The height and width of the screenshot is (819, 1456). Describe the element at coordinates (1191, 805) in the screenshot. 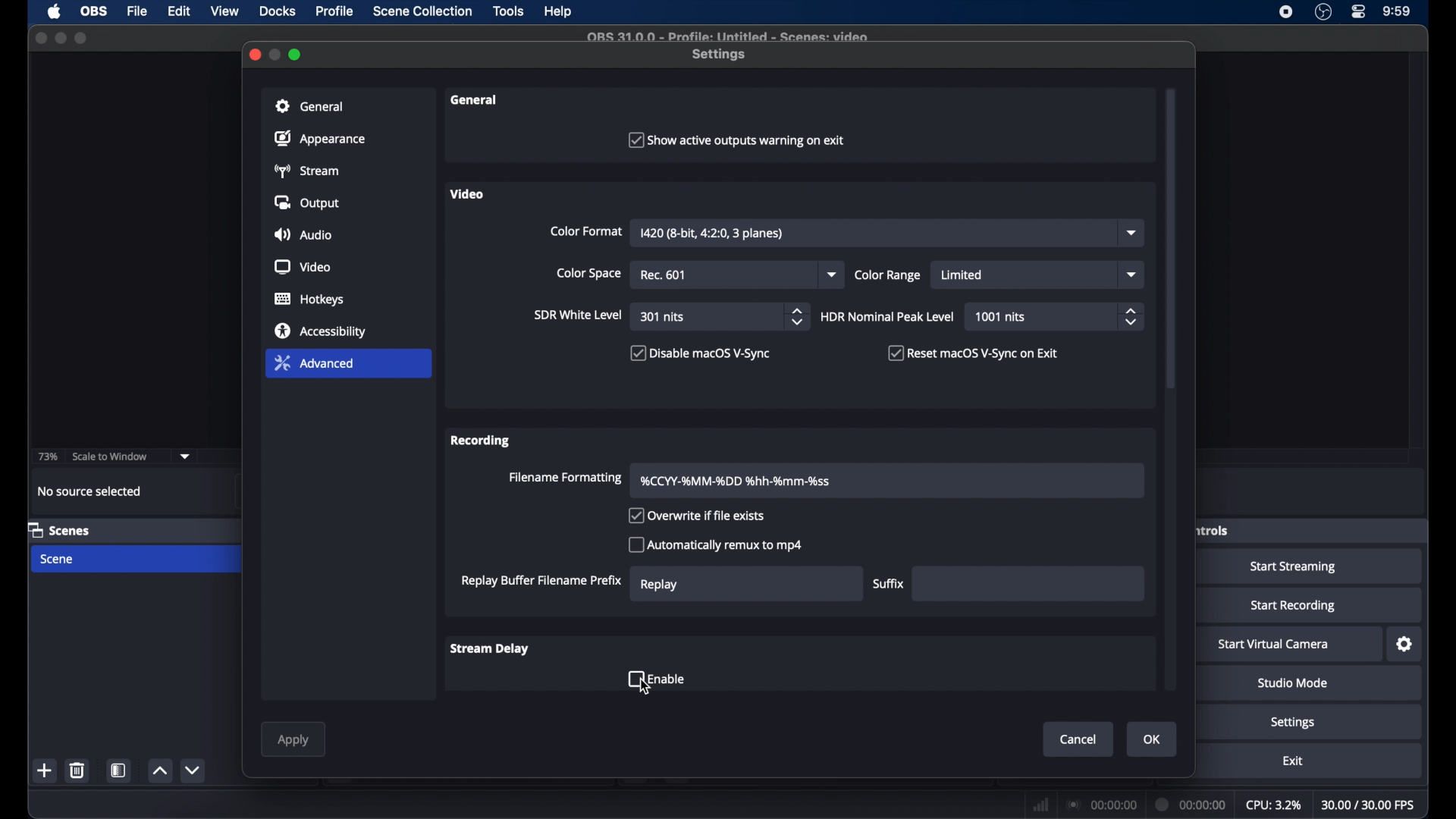

I see `duration` at that location.